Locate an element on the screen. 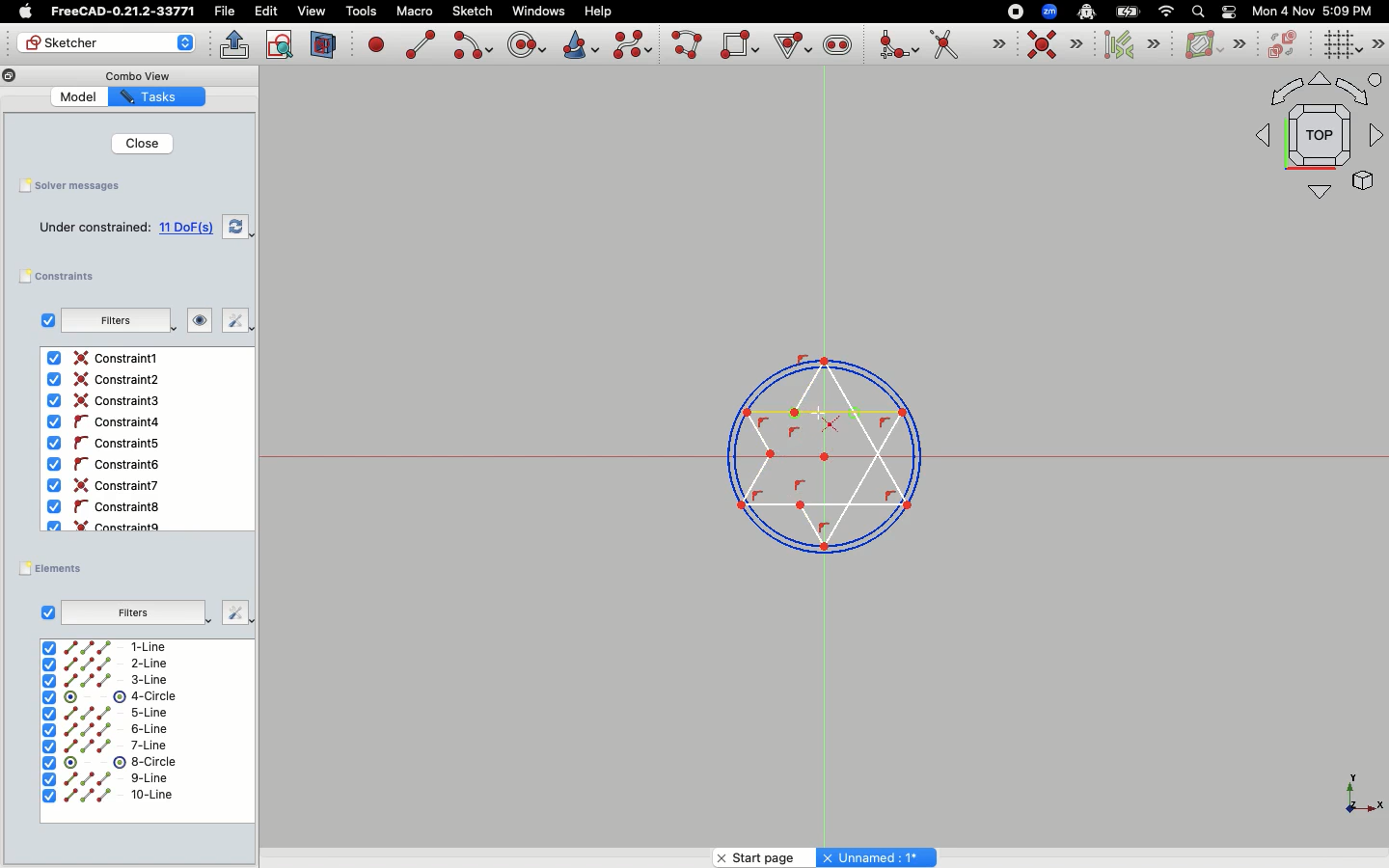  Copy is located at coordinates (10, 78).